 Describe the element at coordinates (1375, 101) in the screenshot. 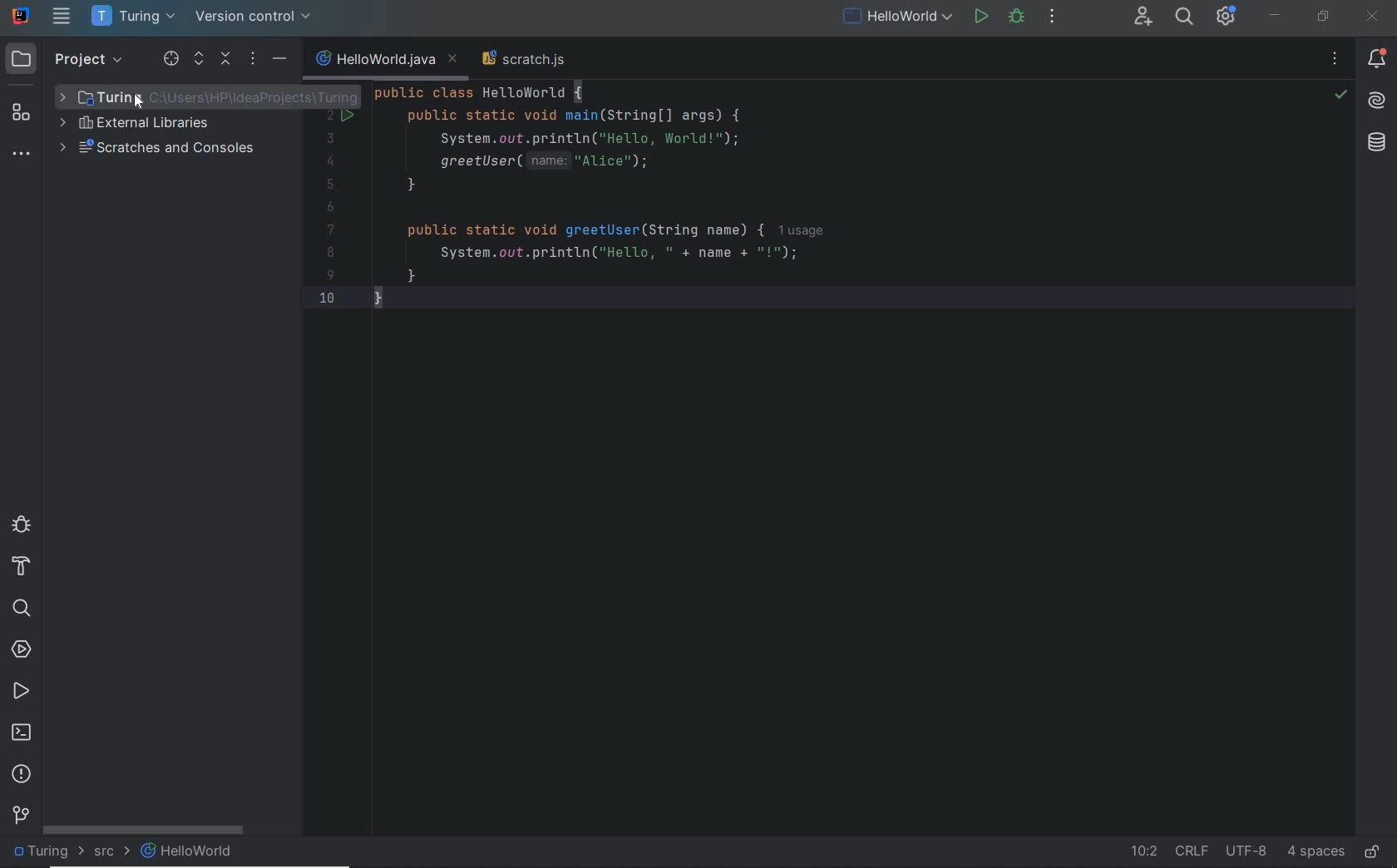

I see `AI Assistant` at that location.